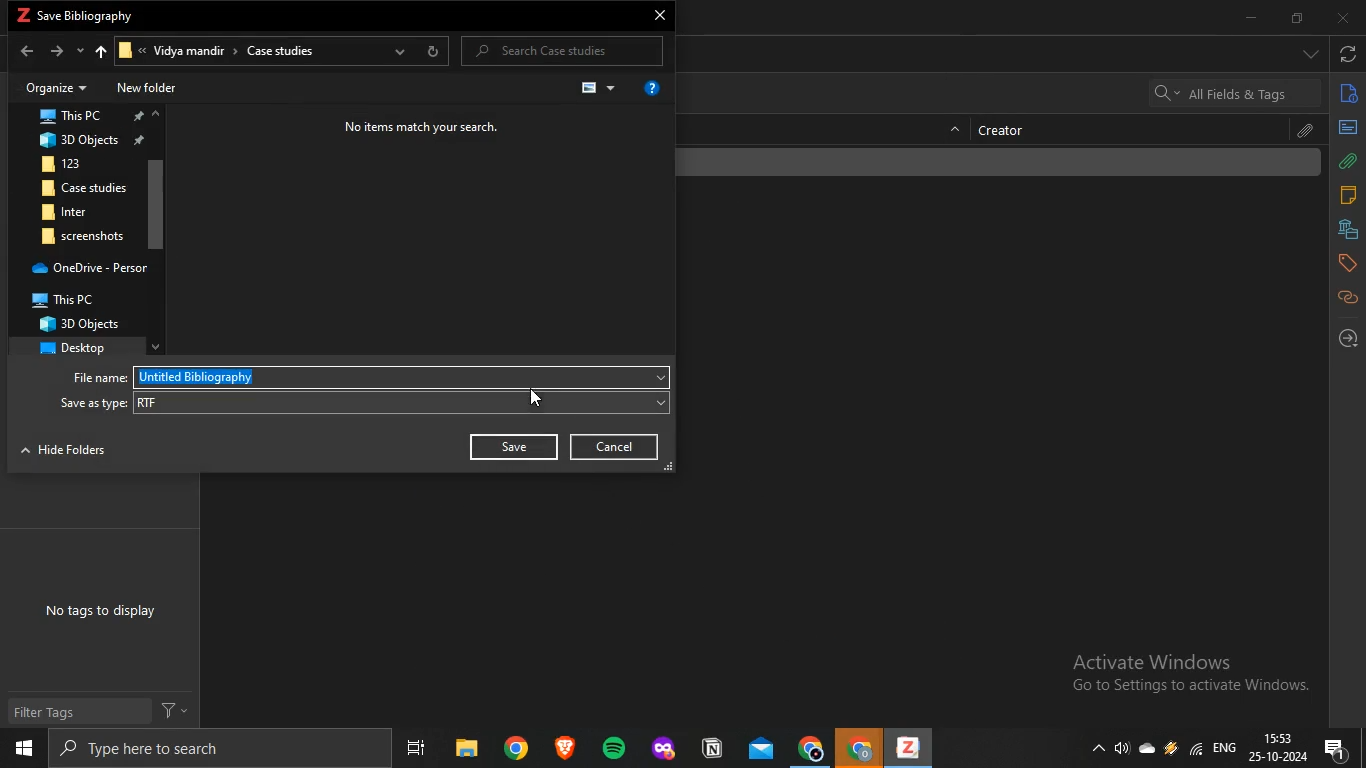  What do you see at coordinates (88, 323) in the screenshot?
I see `3D Objects` at bounding box center [88, 323].